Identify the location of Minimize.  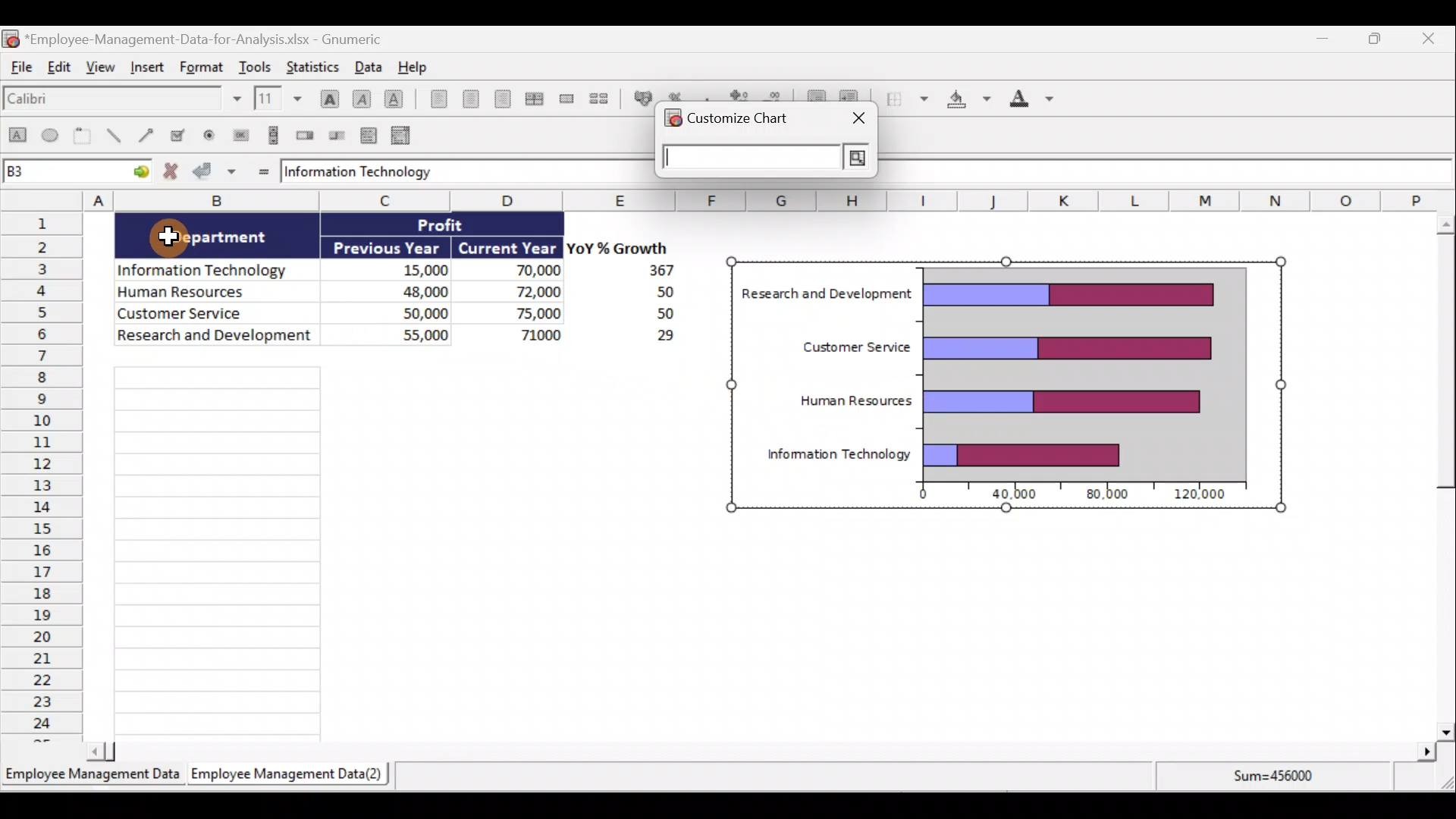
(1321, 40).